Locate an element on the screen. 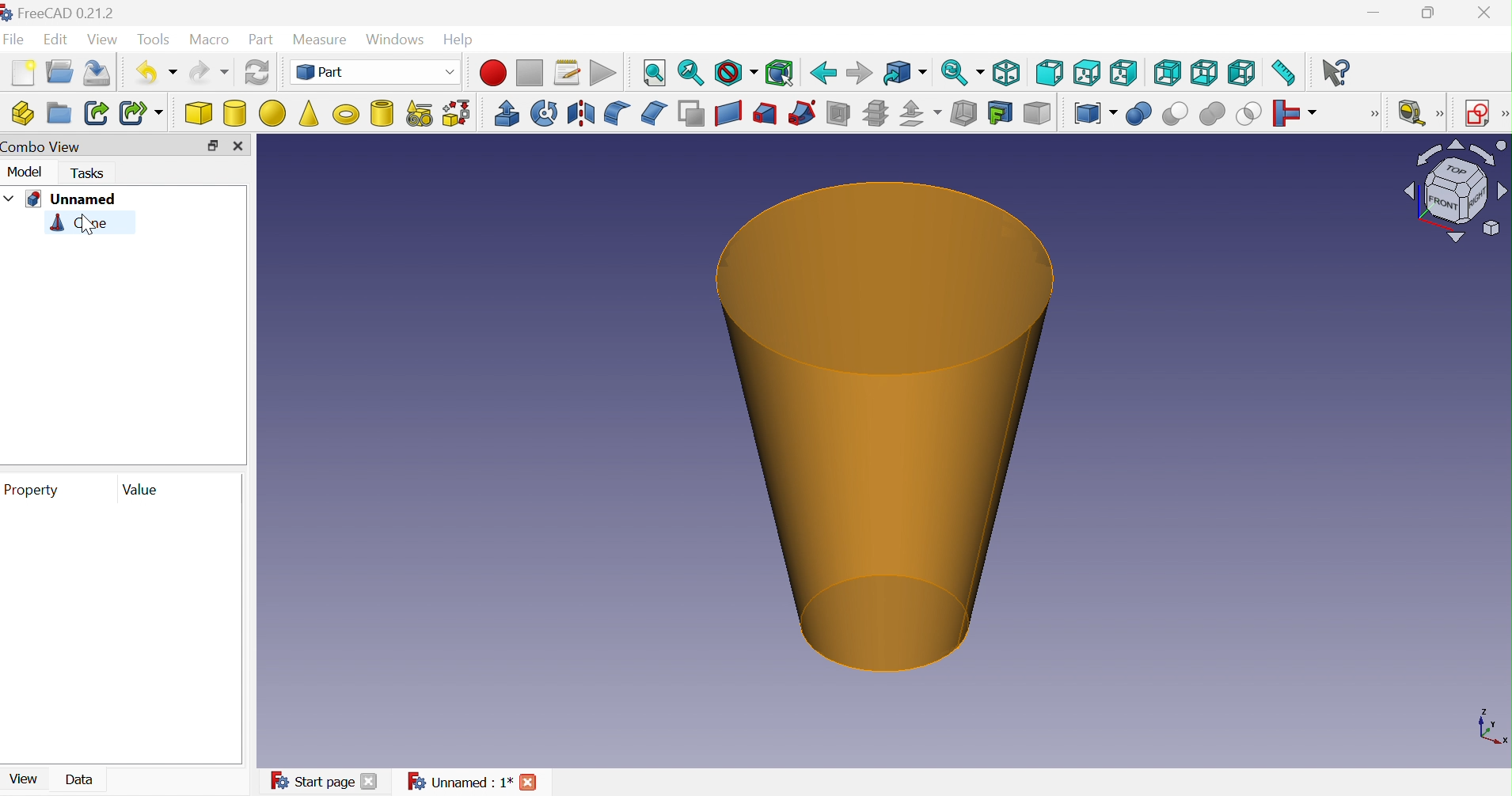  Tasks is located at coordinates (86, 174).